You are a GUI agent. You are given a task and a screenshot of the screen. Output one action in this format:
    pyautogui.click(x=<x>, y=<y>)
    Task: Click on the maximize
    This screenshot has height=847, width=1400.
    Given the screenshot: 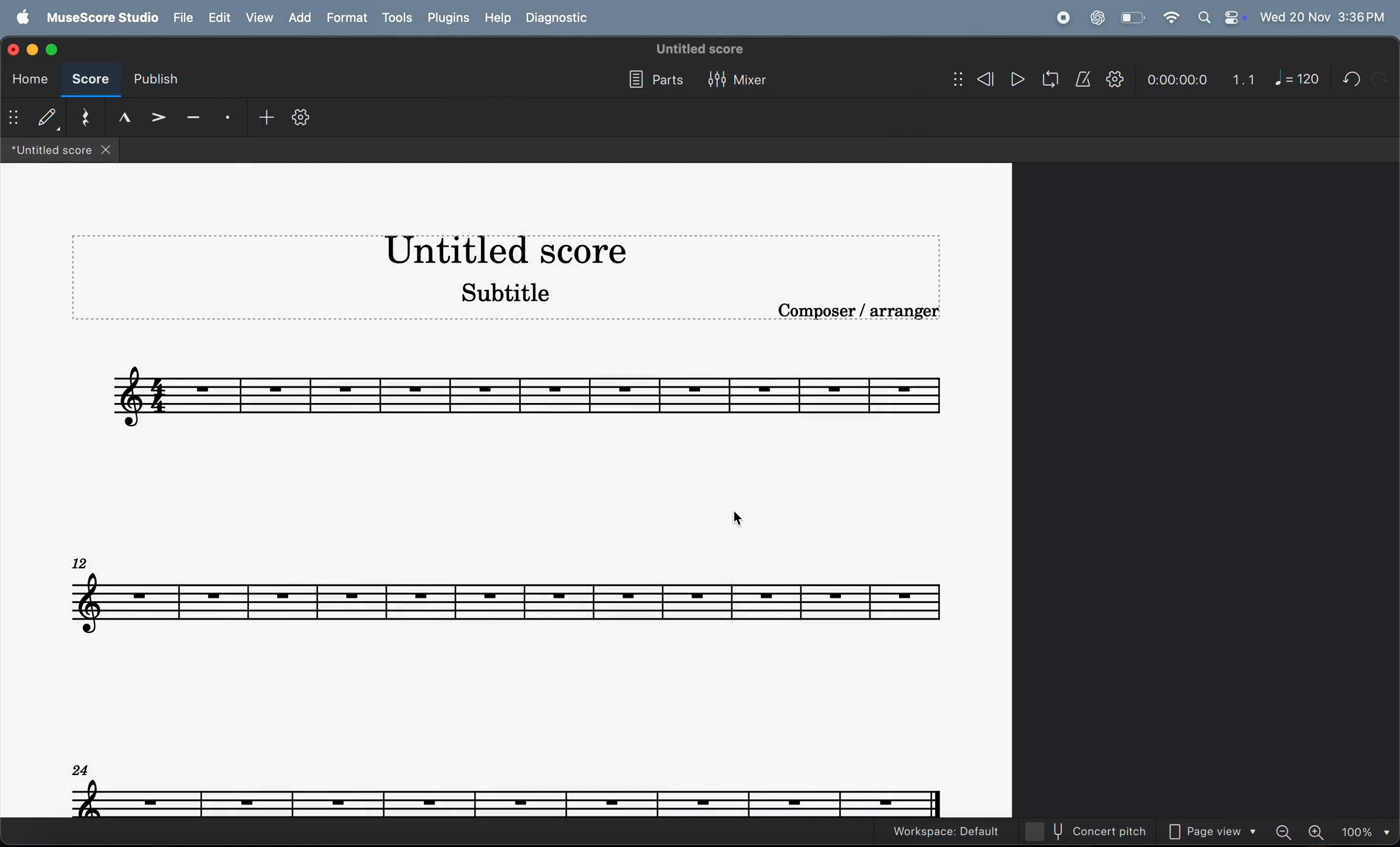 What is the action you would take?
    pyautogui.click(x=52, y=48)
    